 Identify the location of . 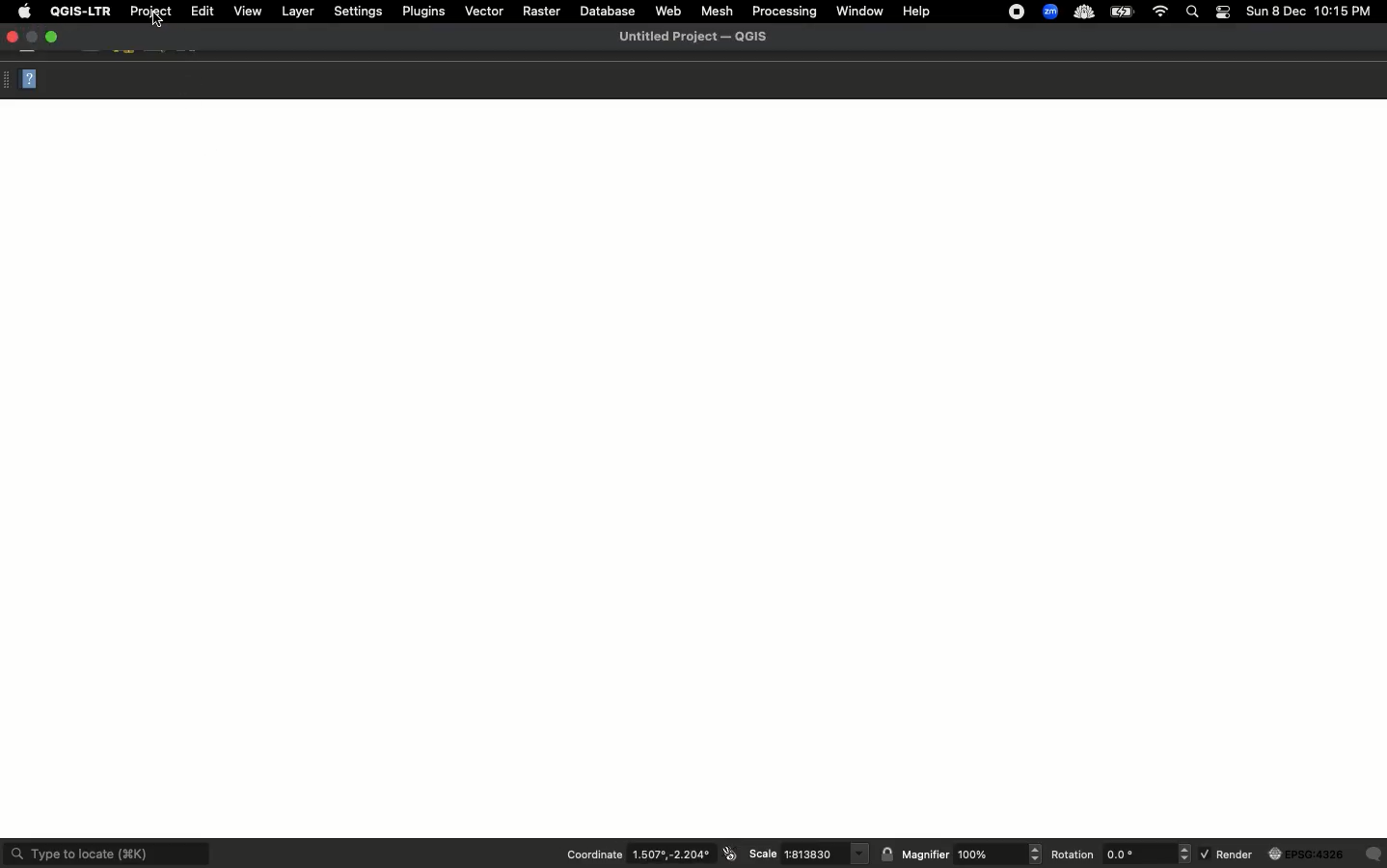
(1374, 854).